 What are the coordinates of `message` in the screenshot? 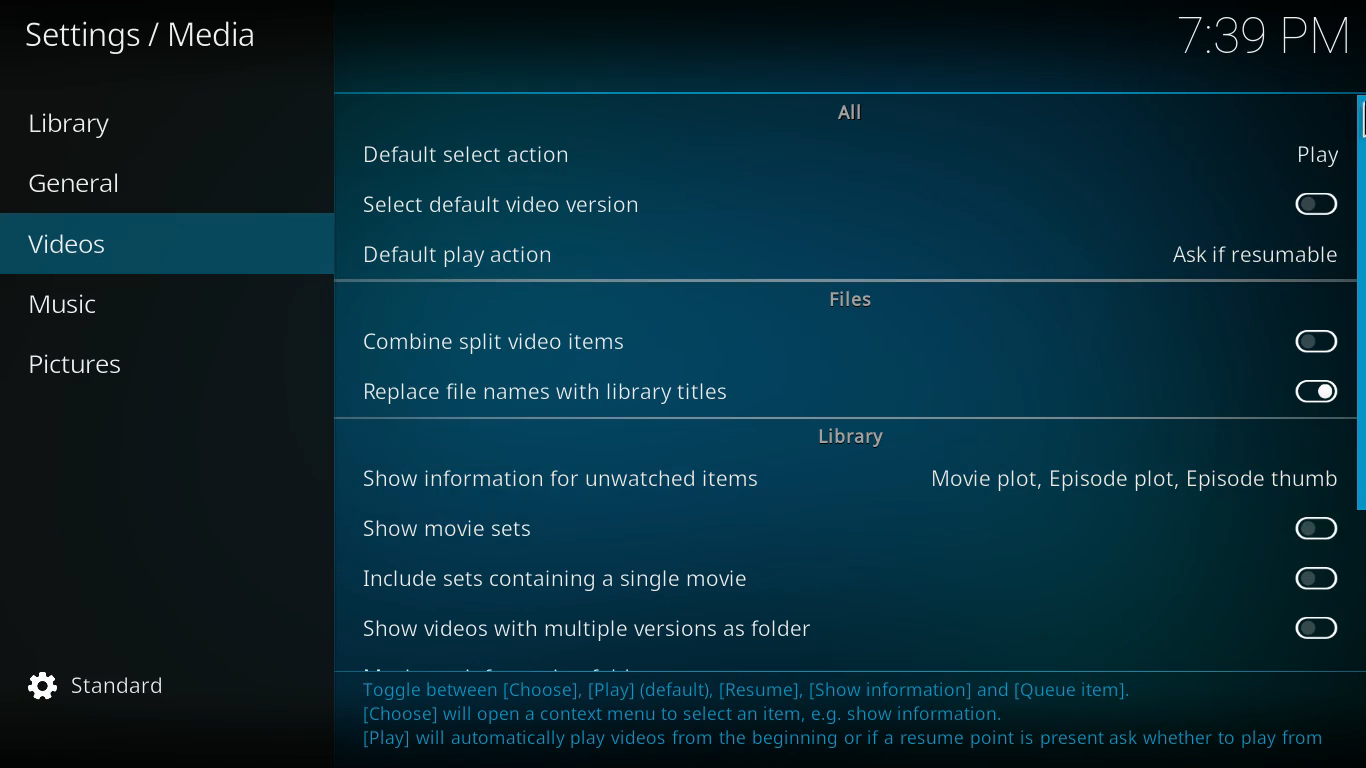 It's located at (851, 713).